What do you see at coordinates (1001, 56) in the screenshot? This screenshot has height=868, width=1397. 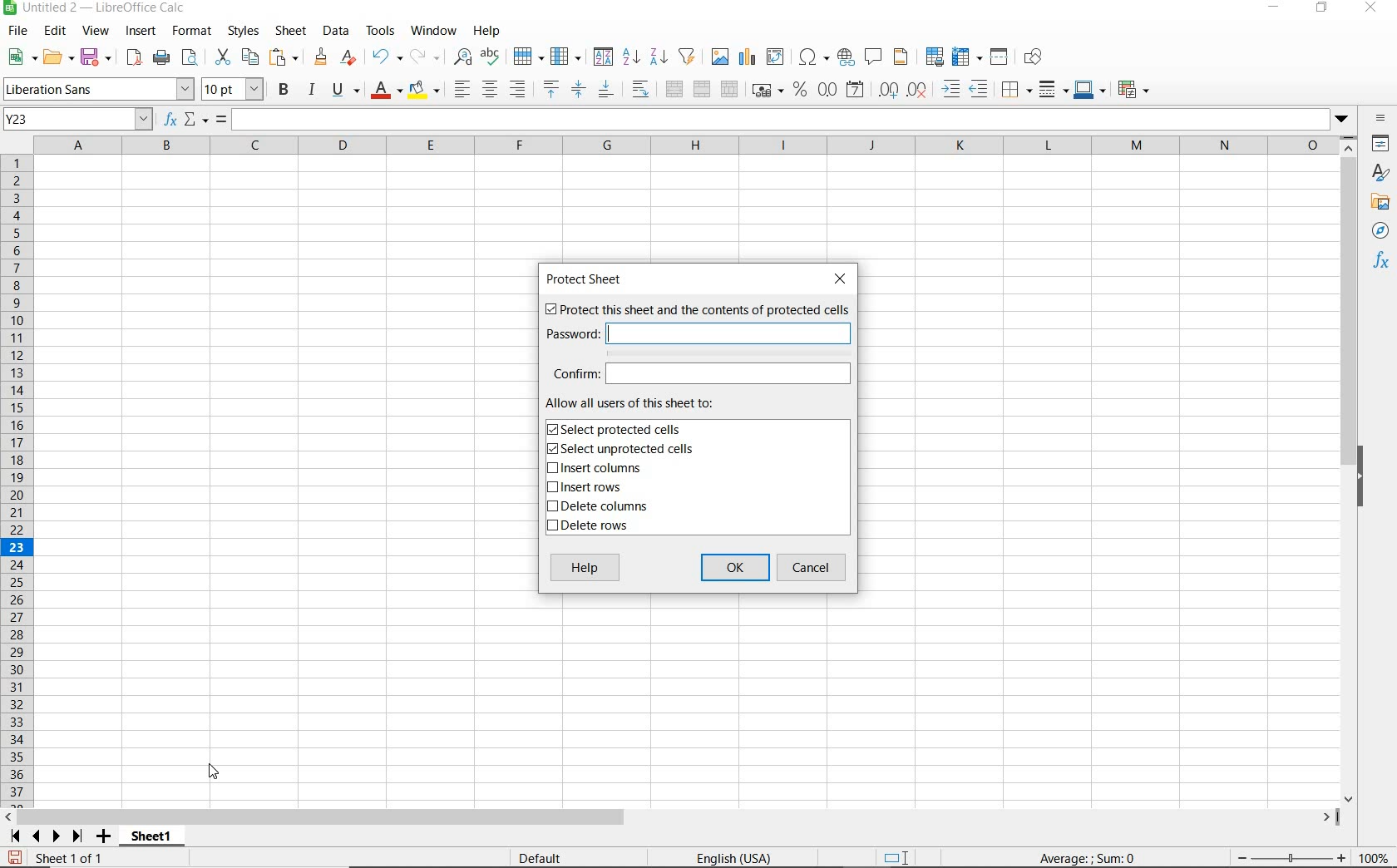 I see `SPLIT WINDOW` at bounding box center [1001, 56].